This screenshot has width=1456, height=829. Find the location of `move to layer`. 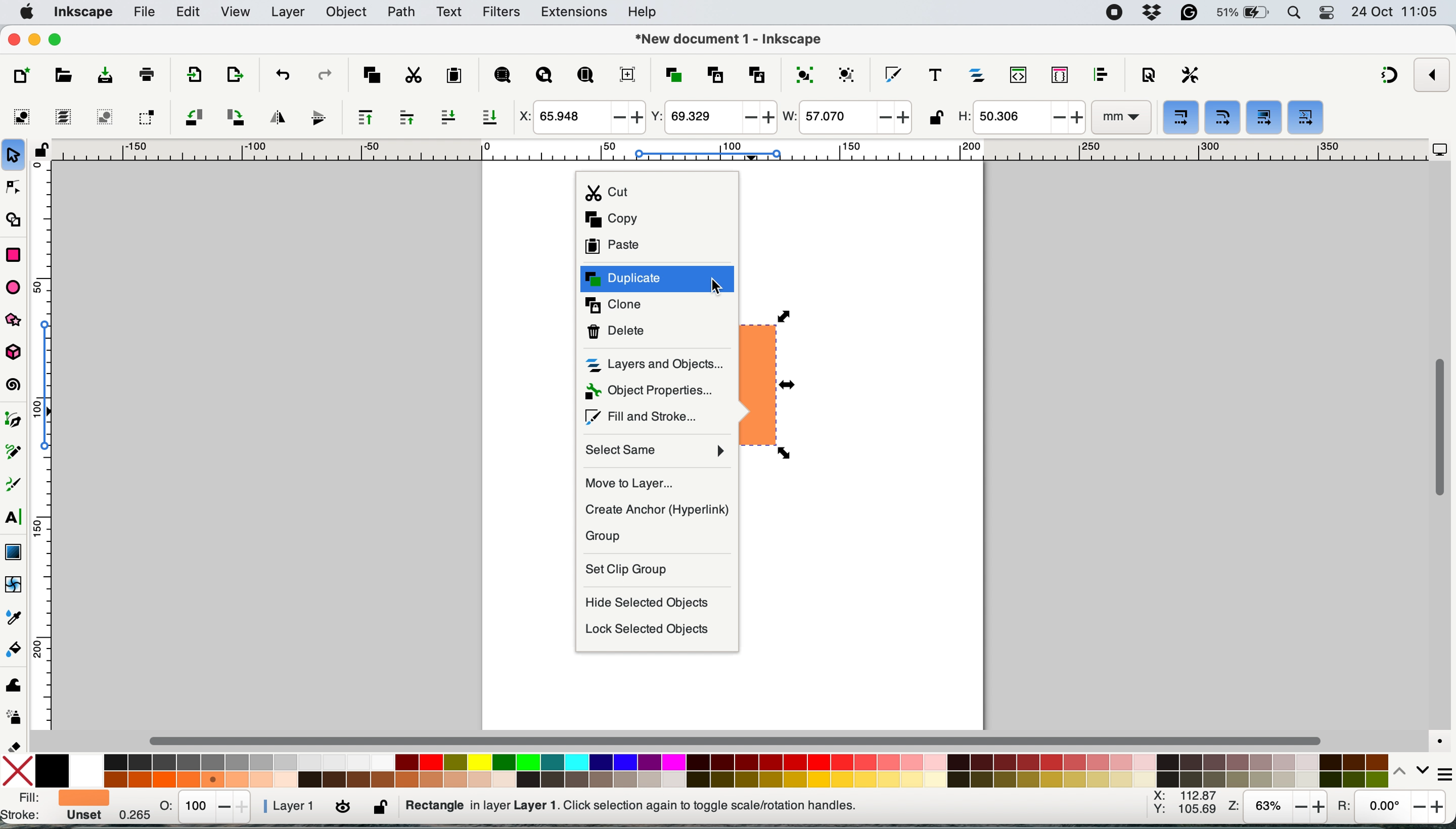

move to layer is located at coordinates (658, 481).